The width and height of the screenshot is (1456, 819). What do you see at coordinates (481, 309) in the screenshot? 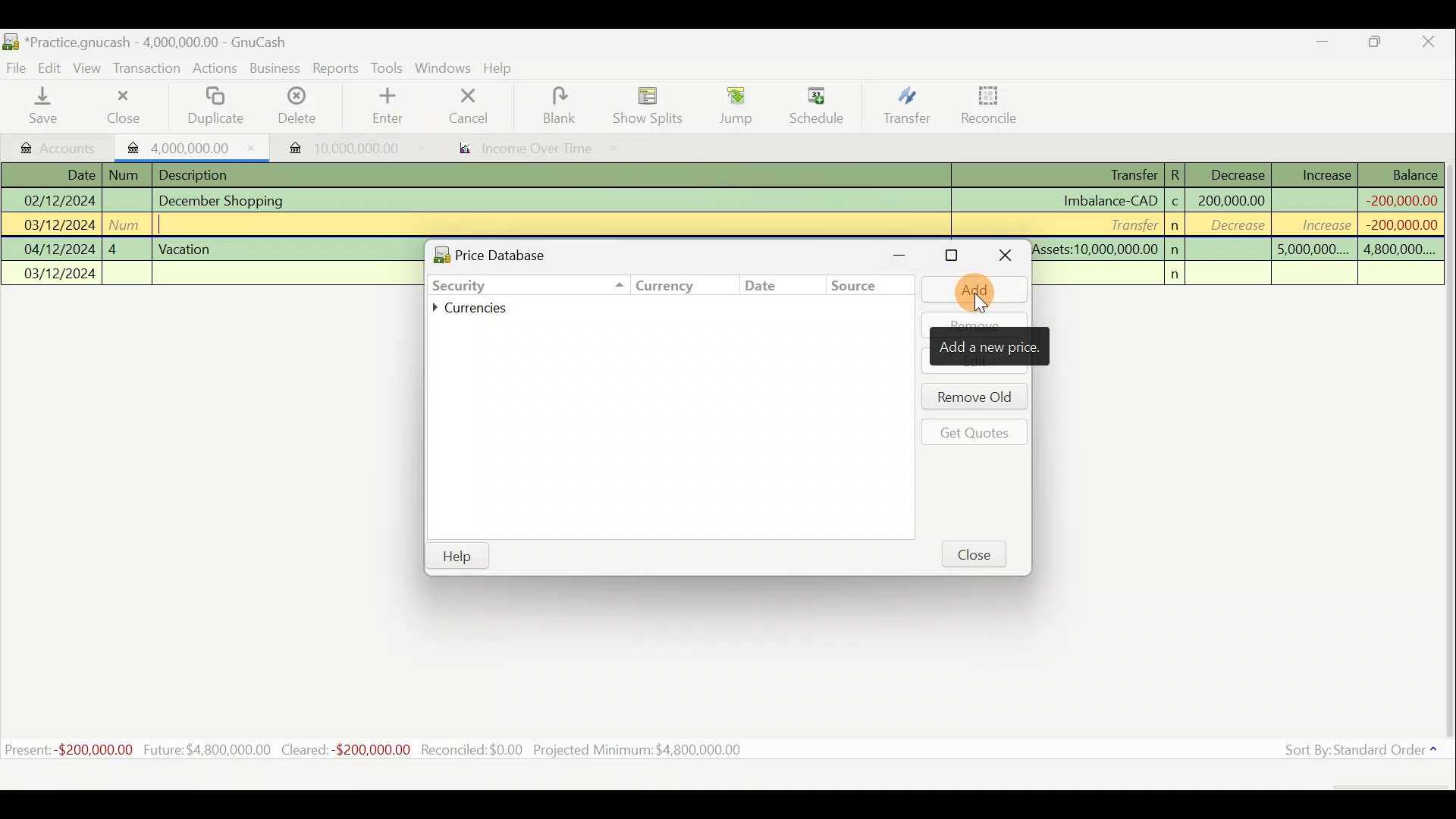
I see `Currencies` at bounding box center [481, 309].